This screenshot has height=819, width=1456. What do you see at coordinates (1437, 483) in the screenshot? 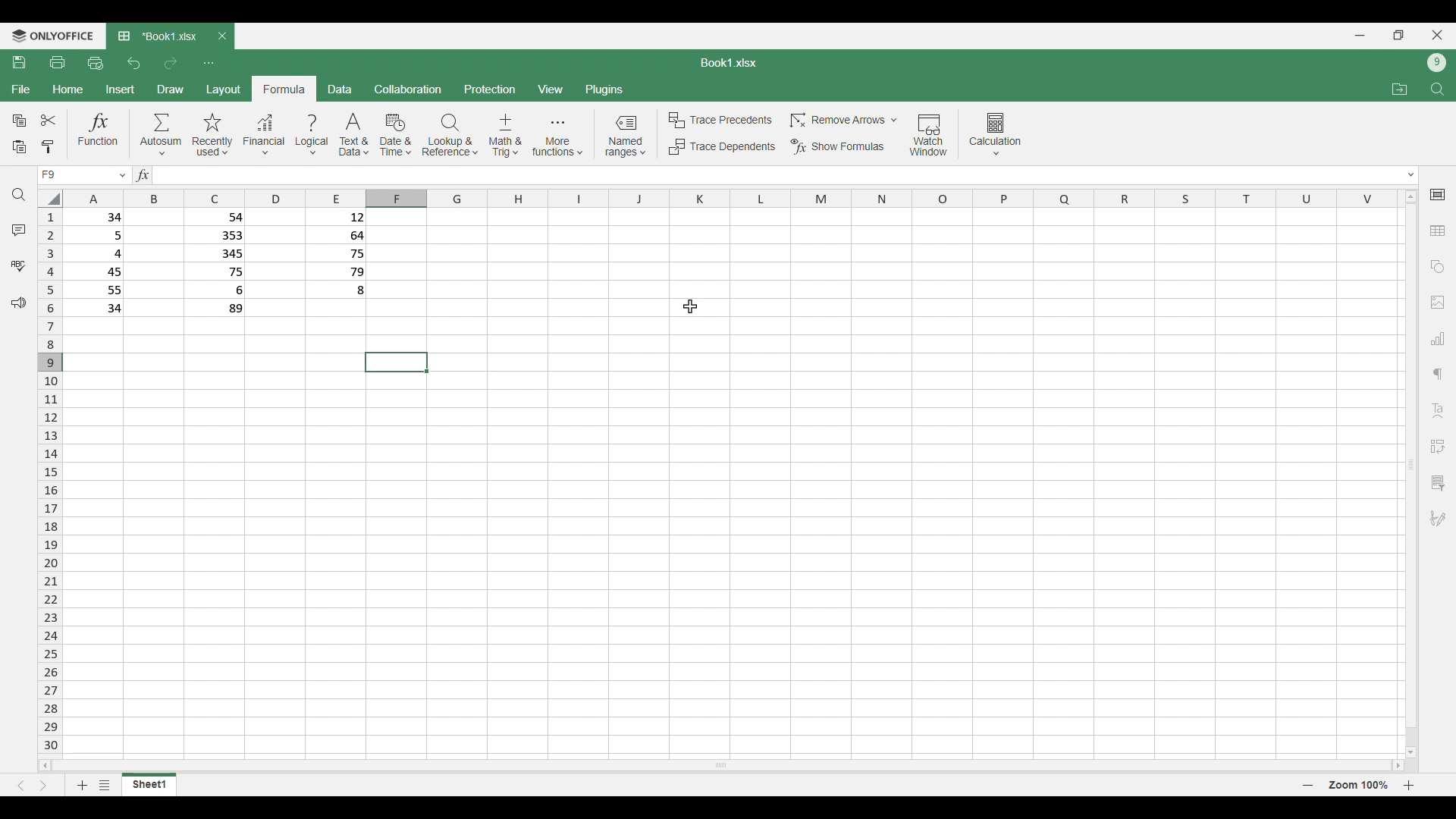
I see `Slicer` at bounding box center [1437, 483].